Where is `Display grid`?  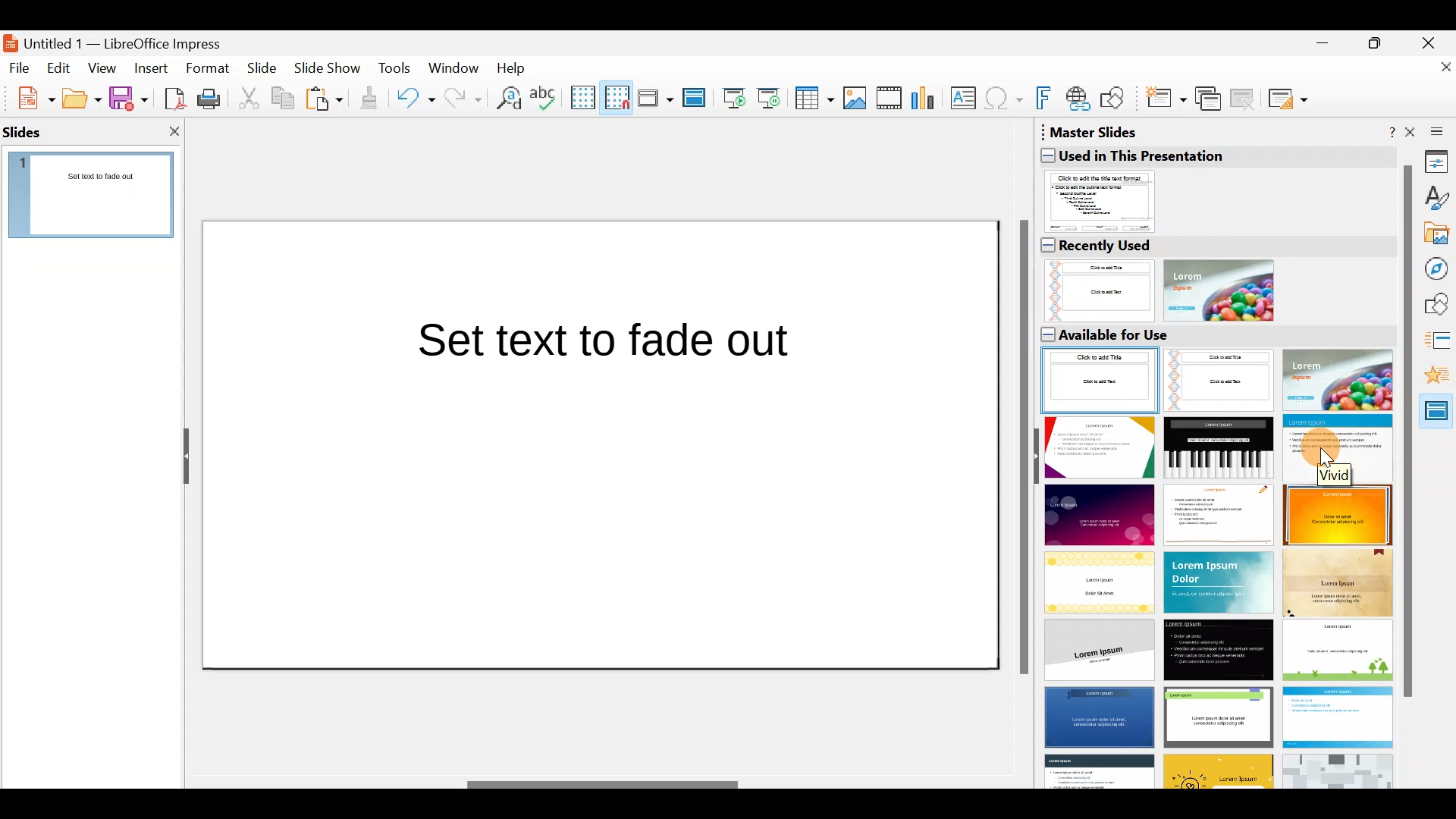 Display grid is located at coordinates (582, 96).